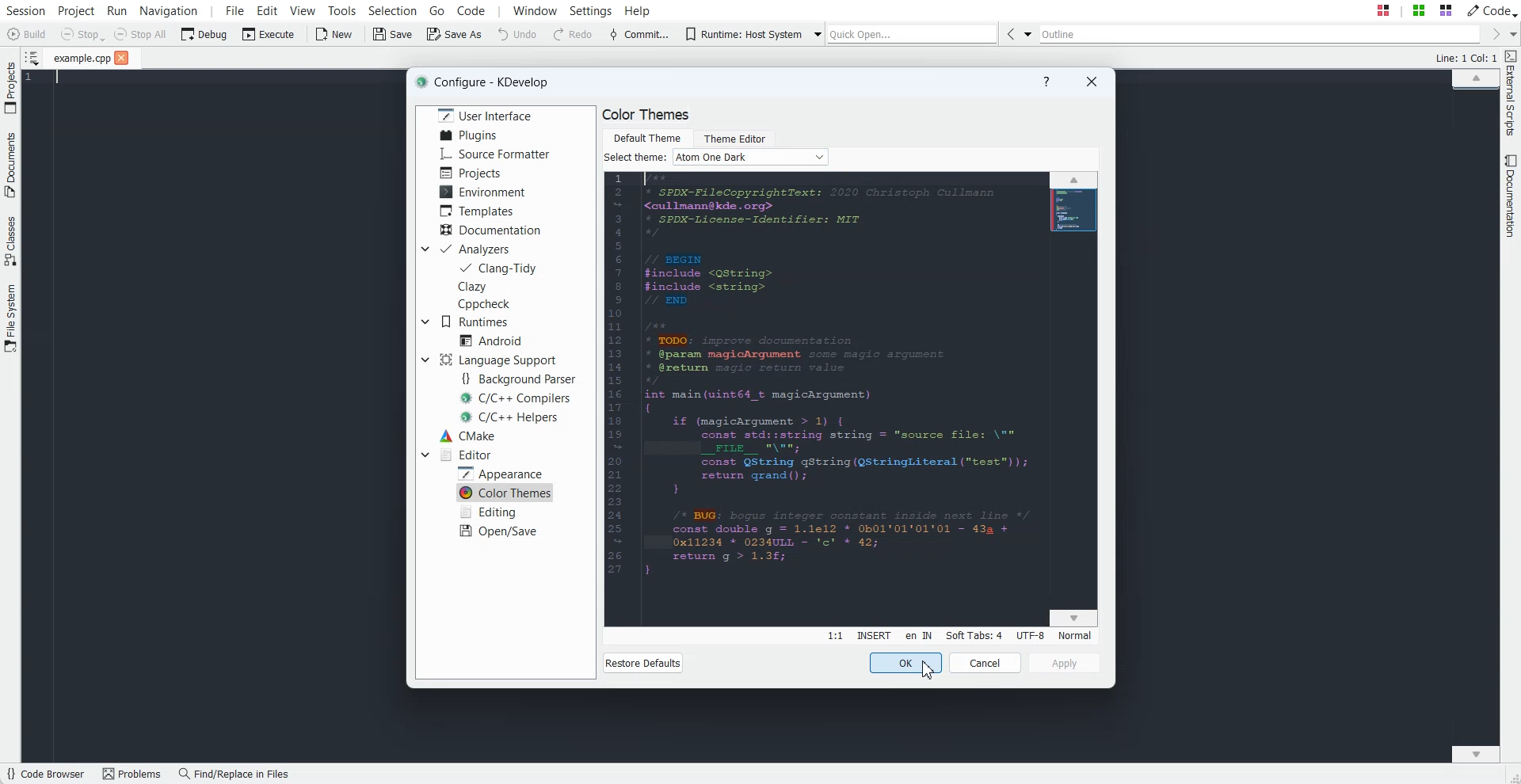  I want to click on Redo, so click(574, 35).